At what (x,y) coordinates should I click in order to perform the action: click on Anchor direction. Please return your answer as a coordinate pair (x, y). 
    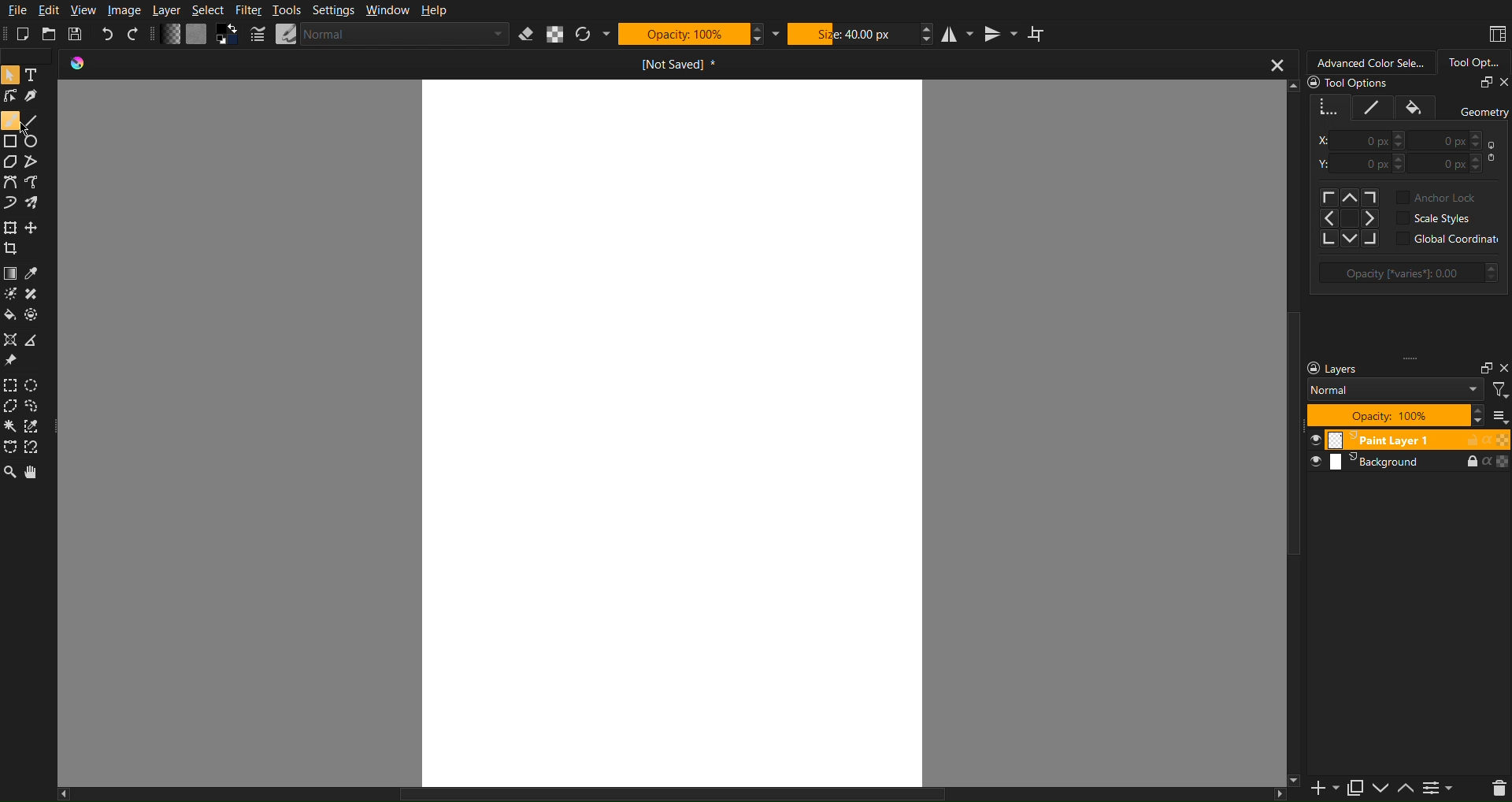
    Looking at the image, I should click on (1351, 218).